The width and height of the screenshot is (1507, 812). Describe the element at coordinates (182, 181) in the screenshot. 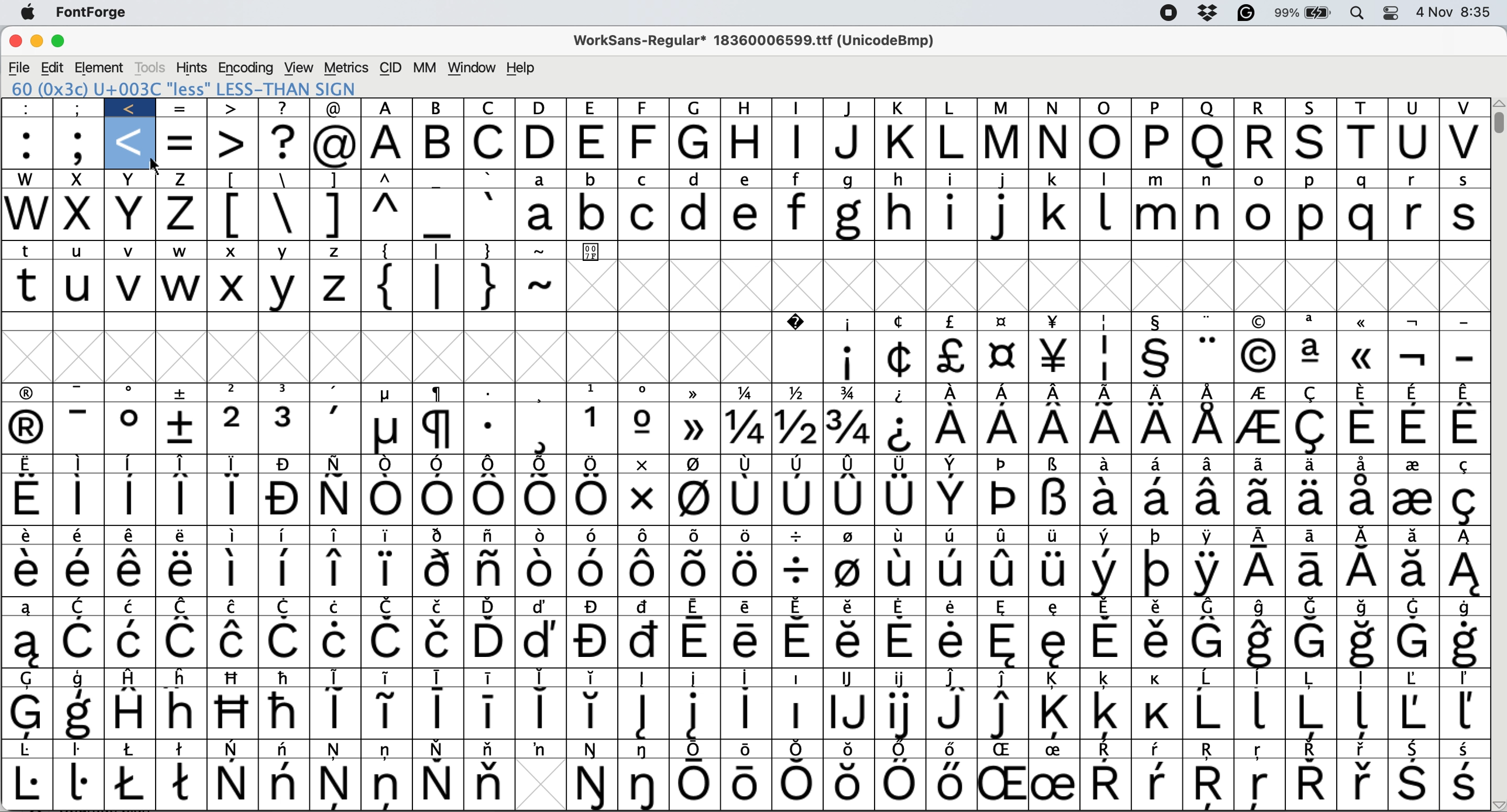

I see `z` at that location.